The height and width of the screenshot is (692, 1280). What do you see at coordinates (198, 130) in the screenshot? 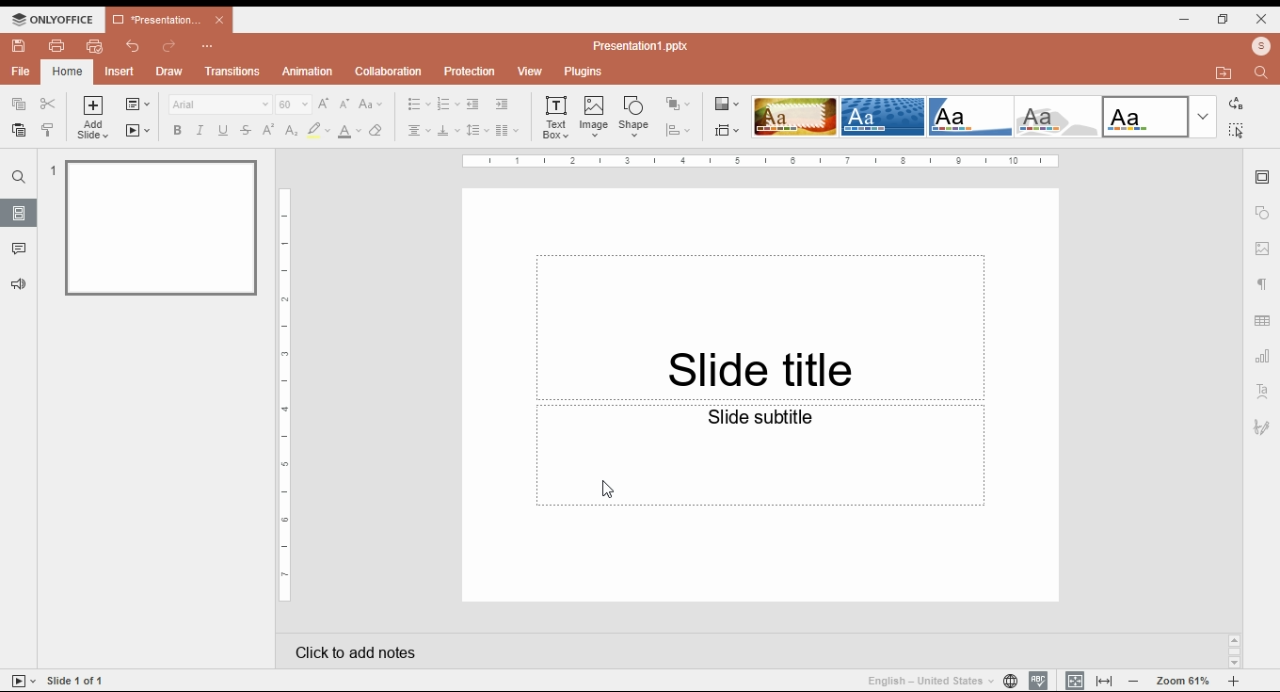
I see `italics` at bounding box center [198, 130].